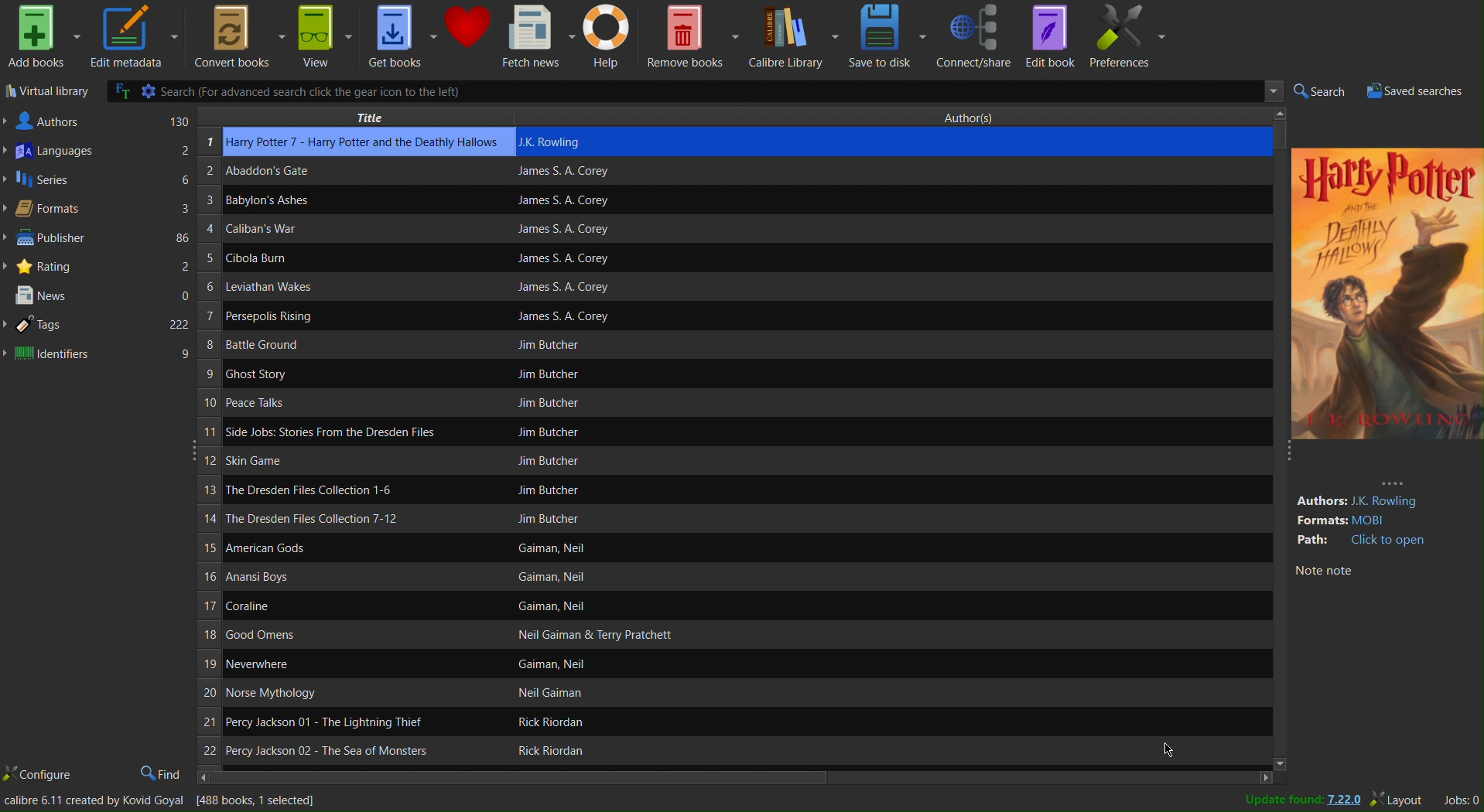 Image resolution: width=1484 pixels, height=812 pixels. Describe the element at coordinates (744, 777) in the screenshot. I see `Scrollbar` at that location.